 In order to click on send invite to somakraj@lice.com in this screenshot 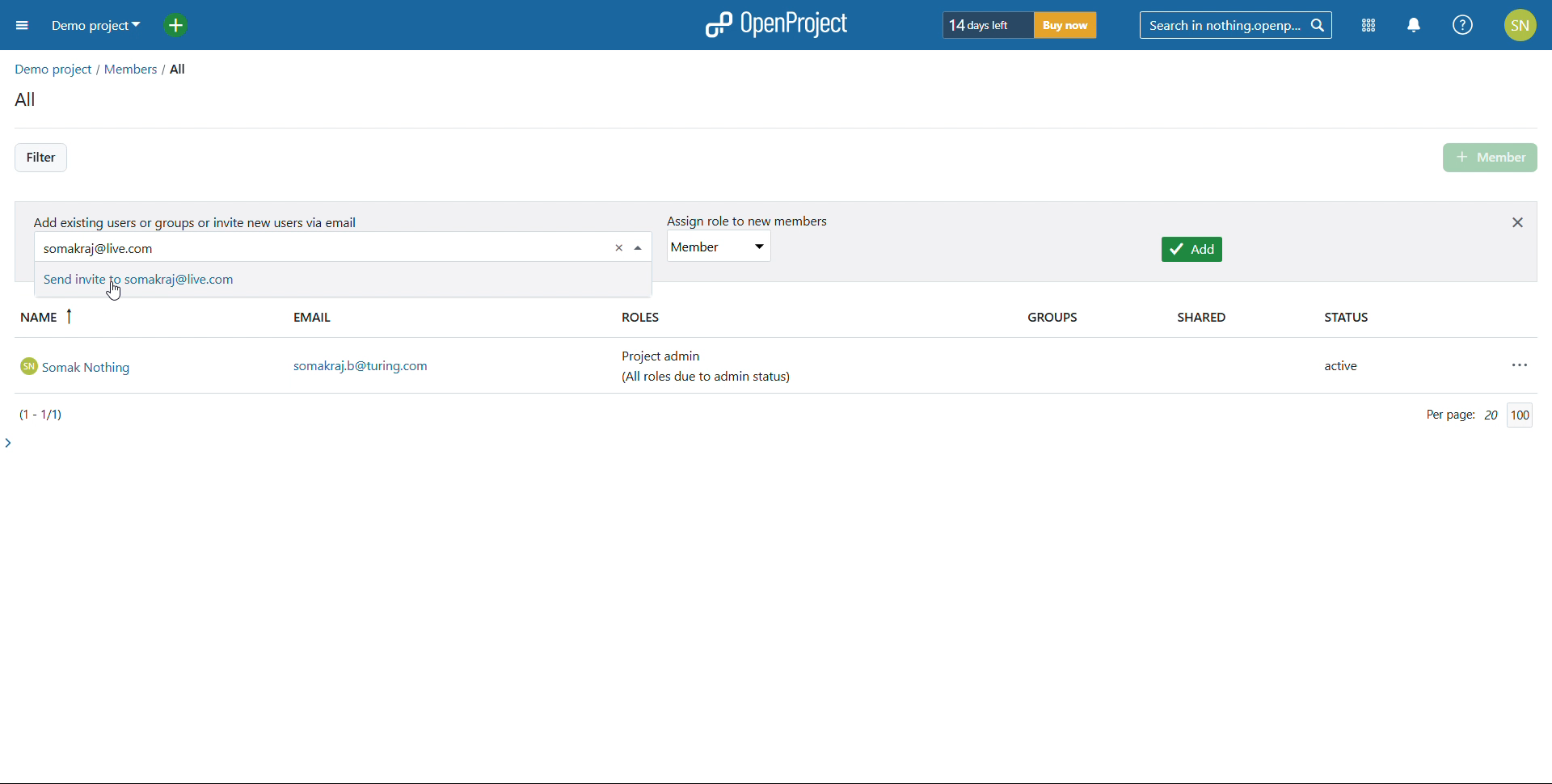, I will do `click(344, 279)`.